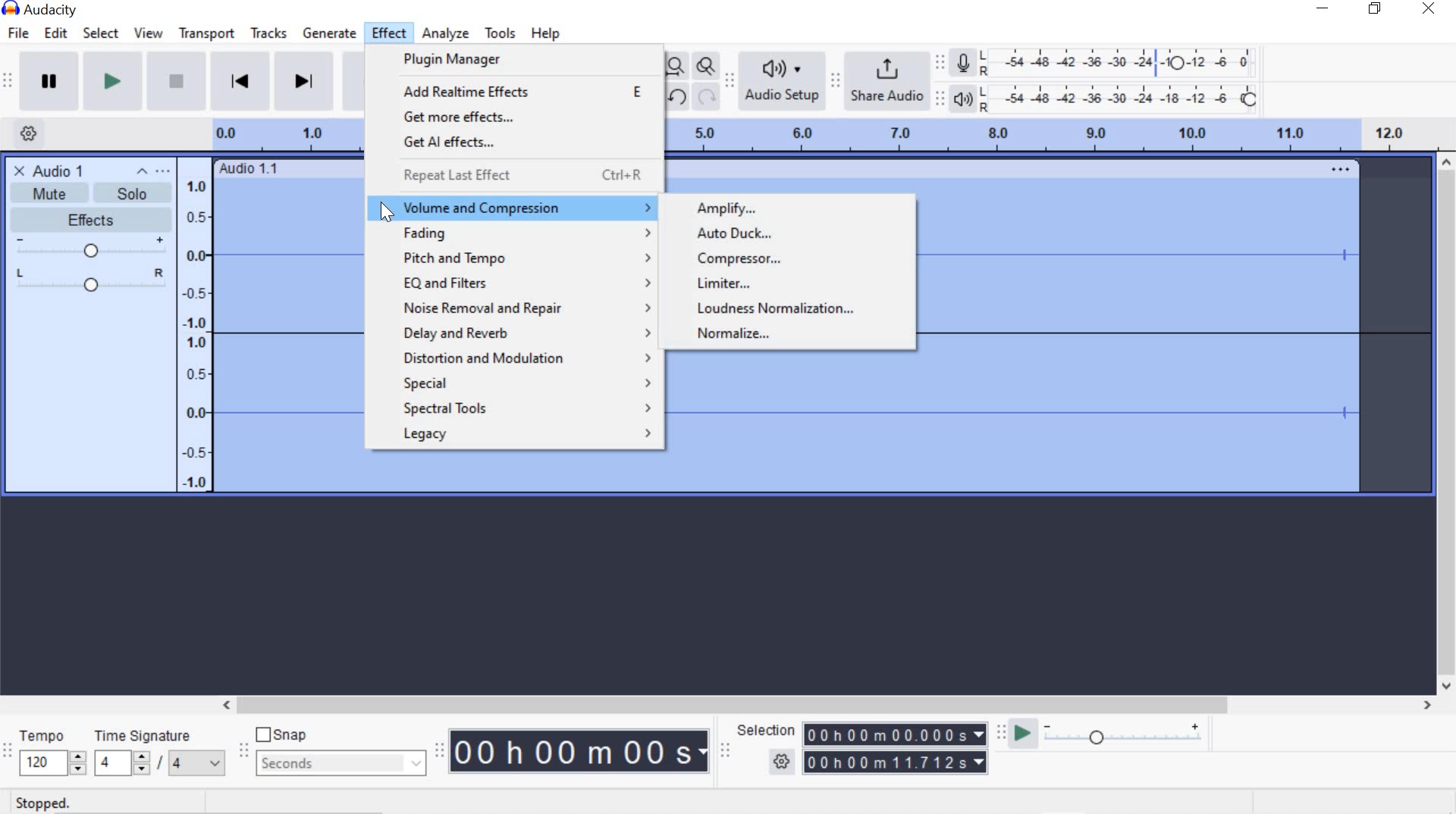 The width and height of the screenshot is (1456, 814). I want to click on minimize, so click(1323, 11).